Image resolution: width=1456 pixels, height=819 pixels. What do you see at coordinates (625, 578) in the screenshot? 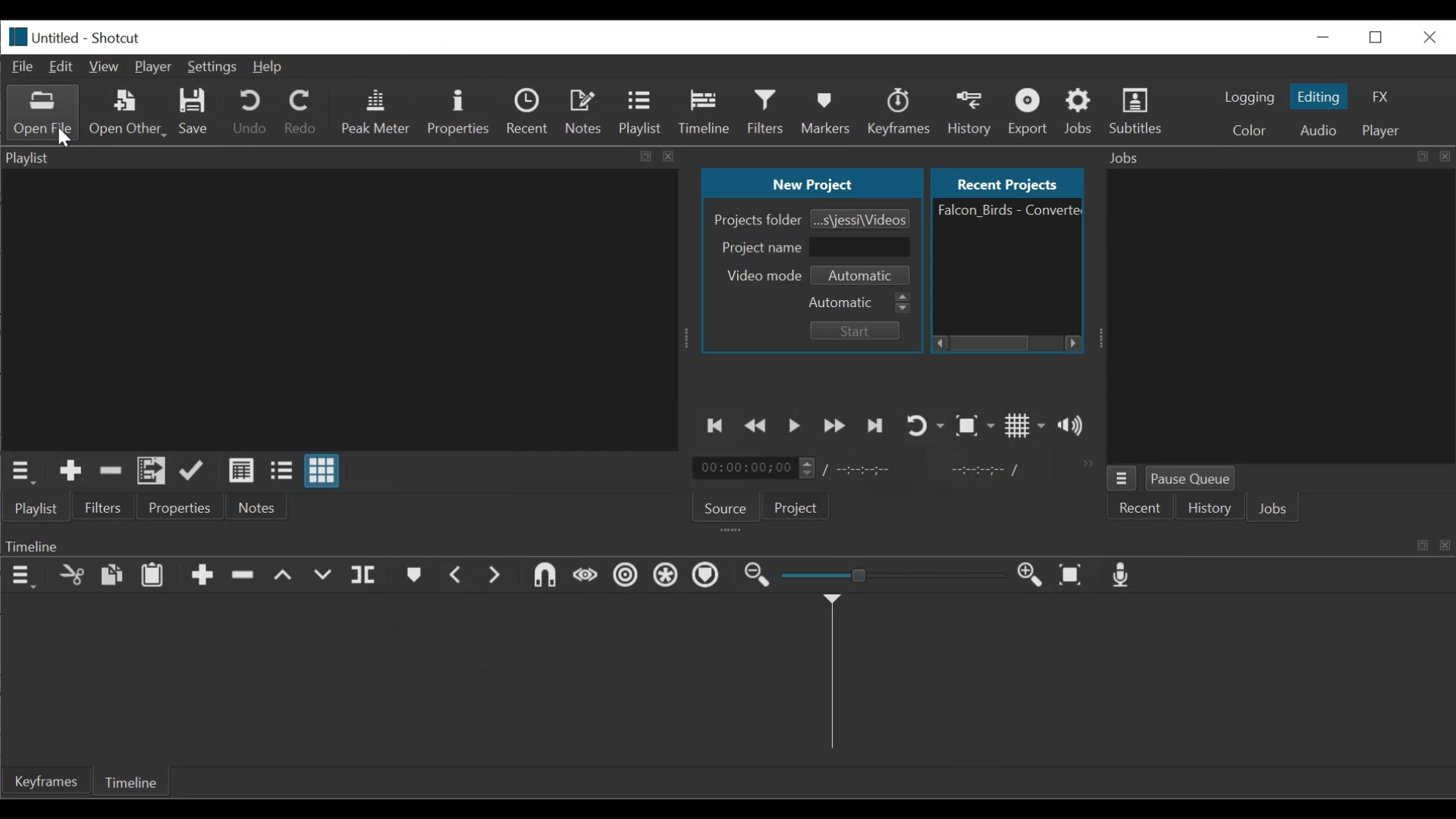
I see `Ripple` at bounding box center [625, 578].